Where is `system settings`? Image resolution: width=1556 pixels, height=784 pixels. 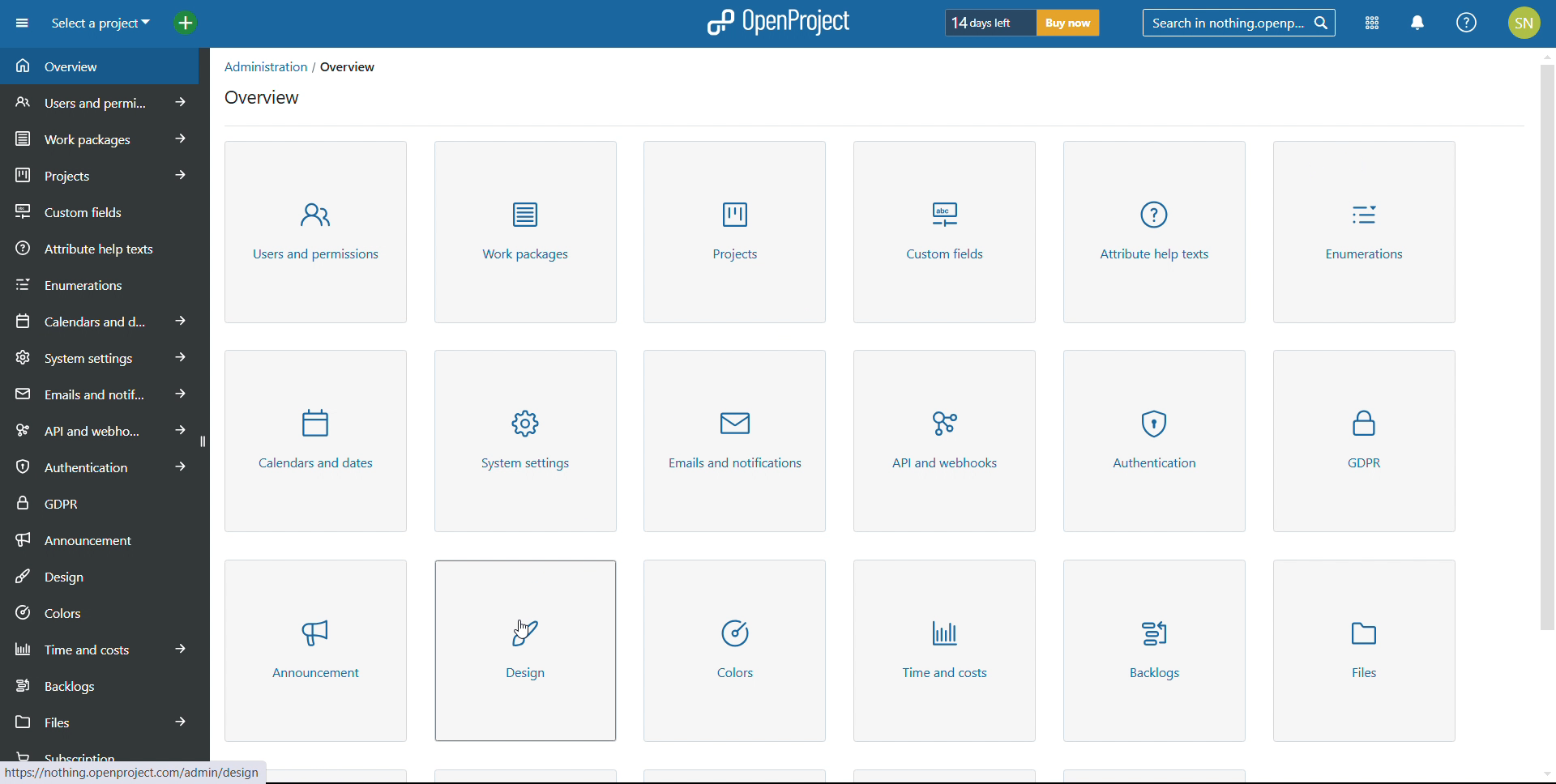 system settings is located at coordinates (104, 356).